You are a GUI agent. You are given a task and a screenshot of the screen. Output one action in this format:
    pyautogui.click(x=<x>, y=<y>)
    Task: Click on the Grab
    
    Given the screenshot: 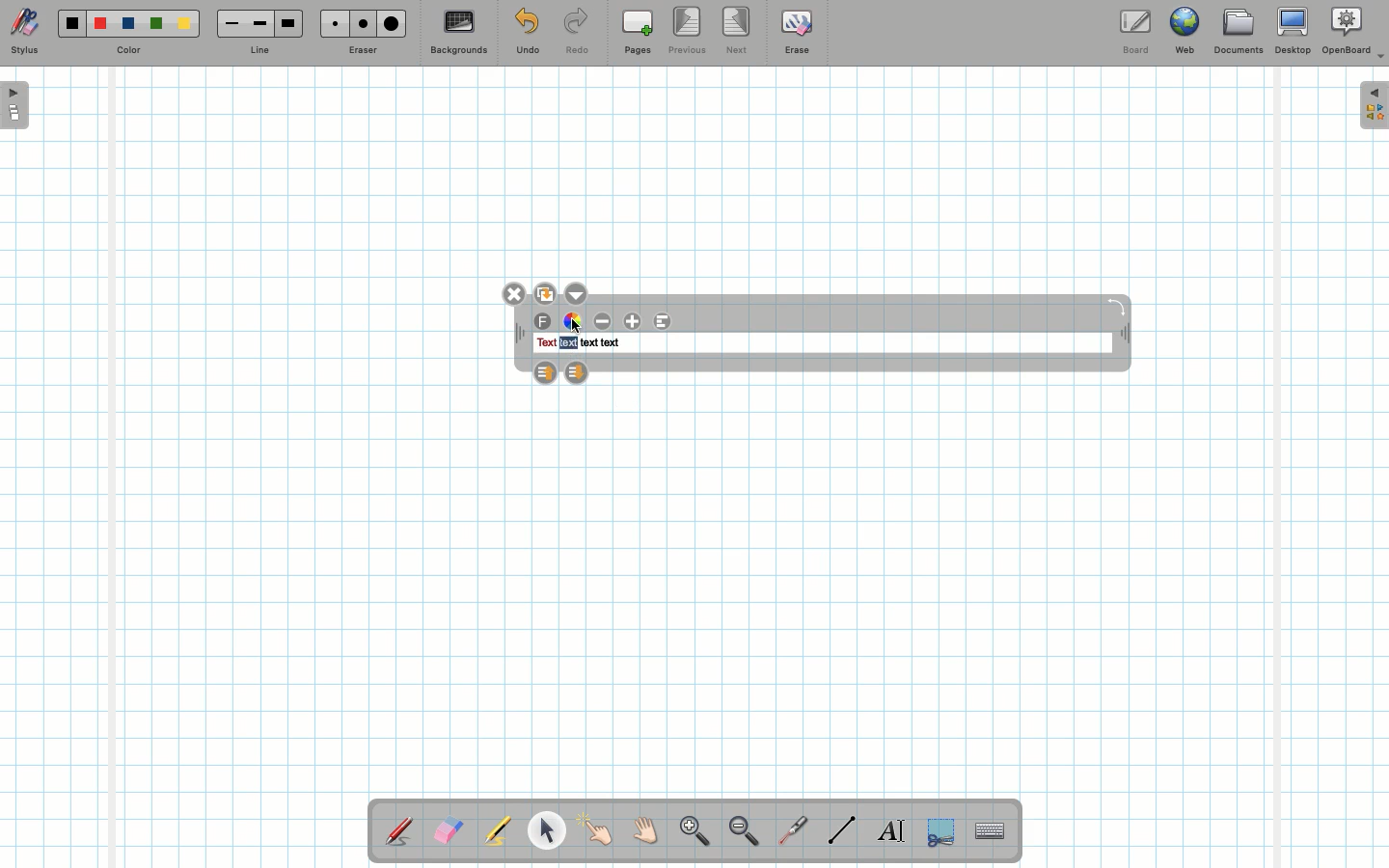 What is the action you would take?
    pyautogui.click(x=646, y=833)
    